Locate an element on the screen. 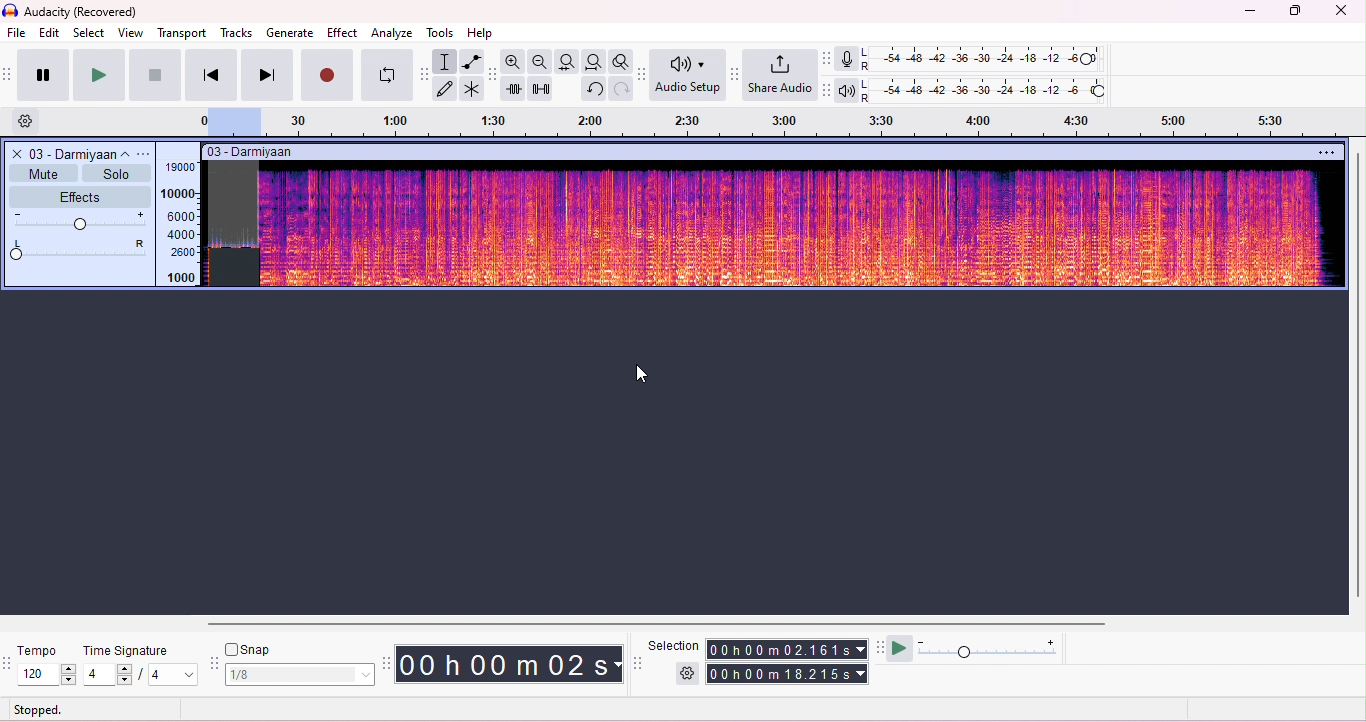 This screenshot has height=722, width=1366. tempo tools is located at coordinates (9, 665).